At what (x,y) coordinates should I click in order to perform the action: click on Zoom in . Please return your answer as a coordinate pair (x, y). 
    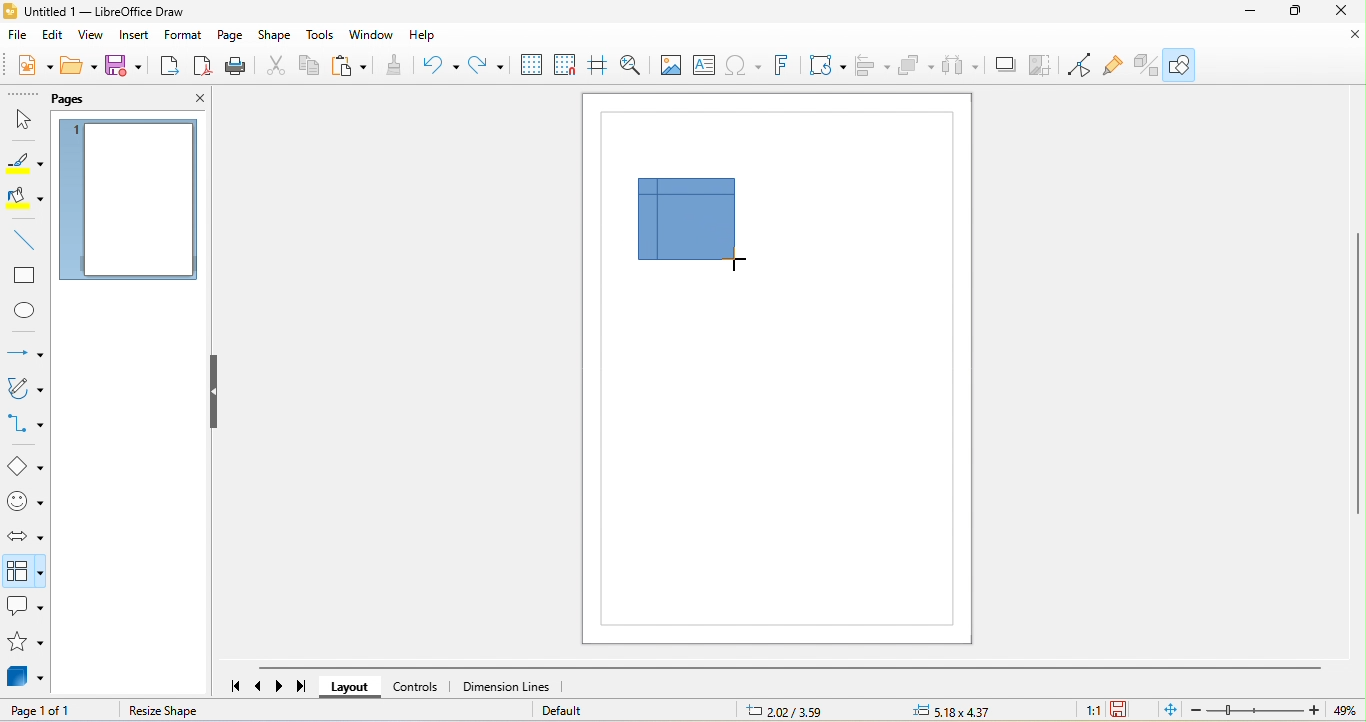
    Looking at the image, I should click on (1316, 711).